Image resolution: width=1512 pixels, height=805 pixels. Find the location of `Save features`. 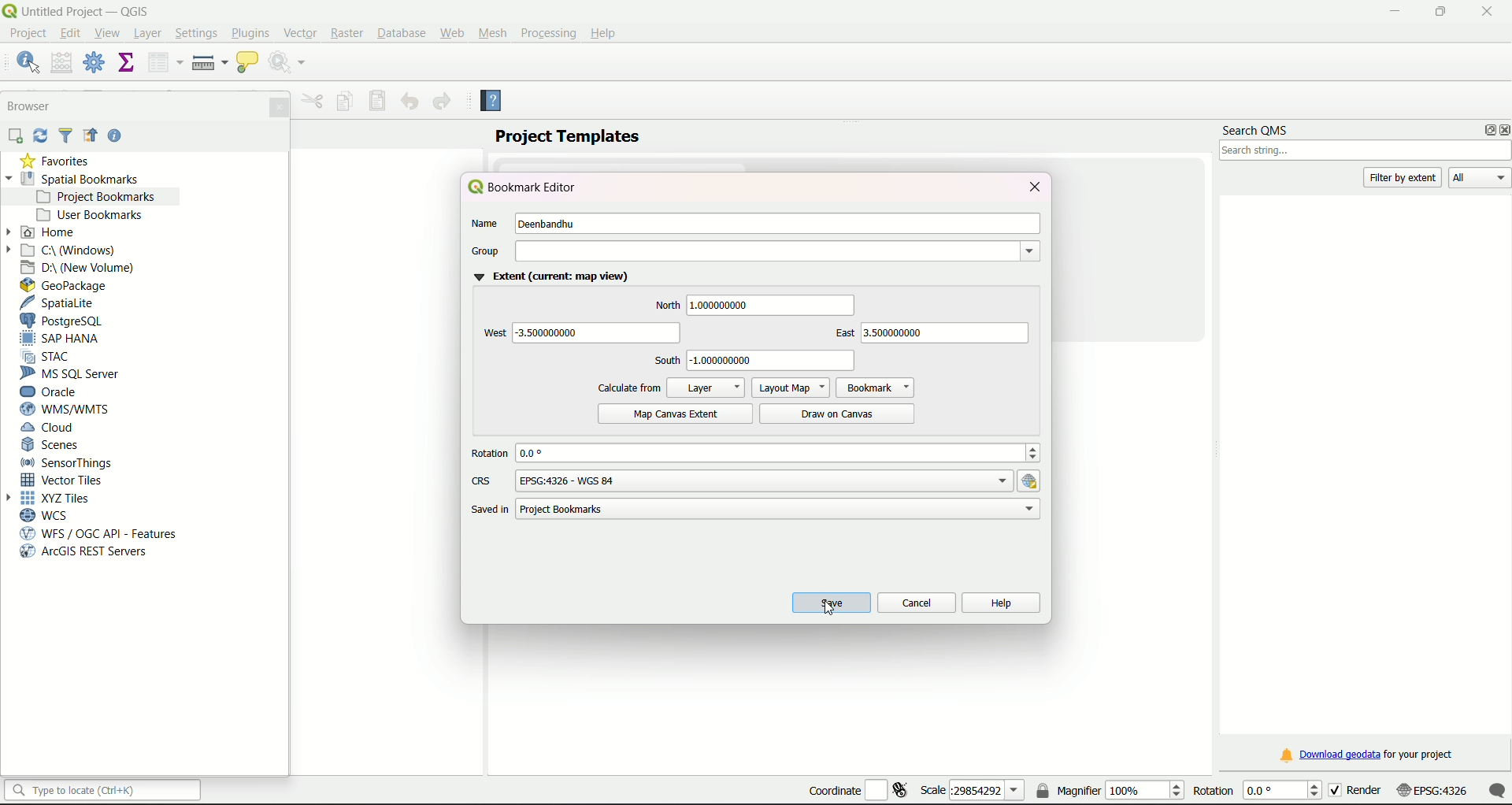

Save features is located at coordinates (379, 101).